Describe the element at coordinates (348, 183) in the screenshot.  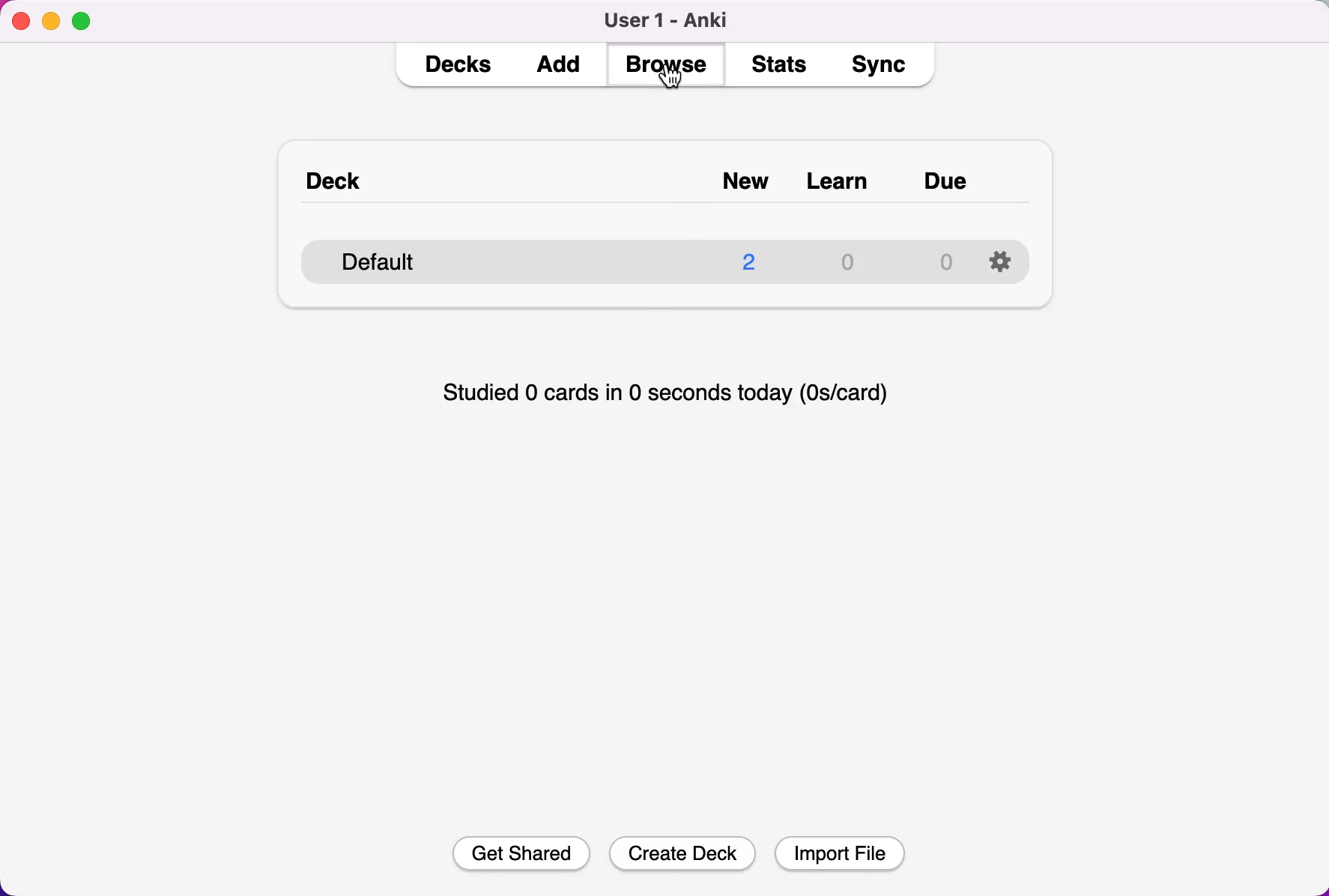
I see `deck` at that location.